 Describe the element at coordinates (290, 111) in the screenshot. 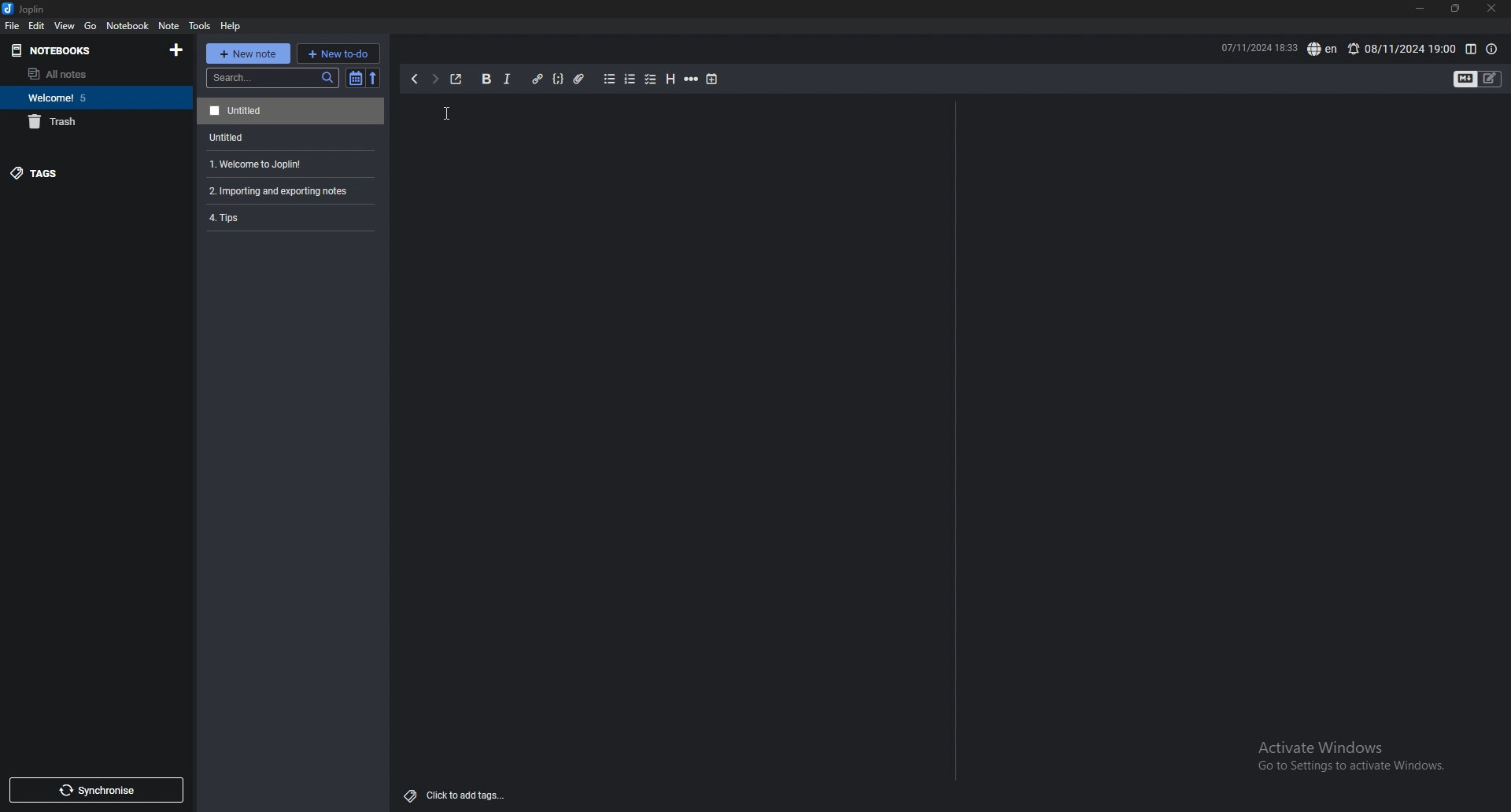

I see `Untitled` at that location.